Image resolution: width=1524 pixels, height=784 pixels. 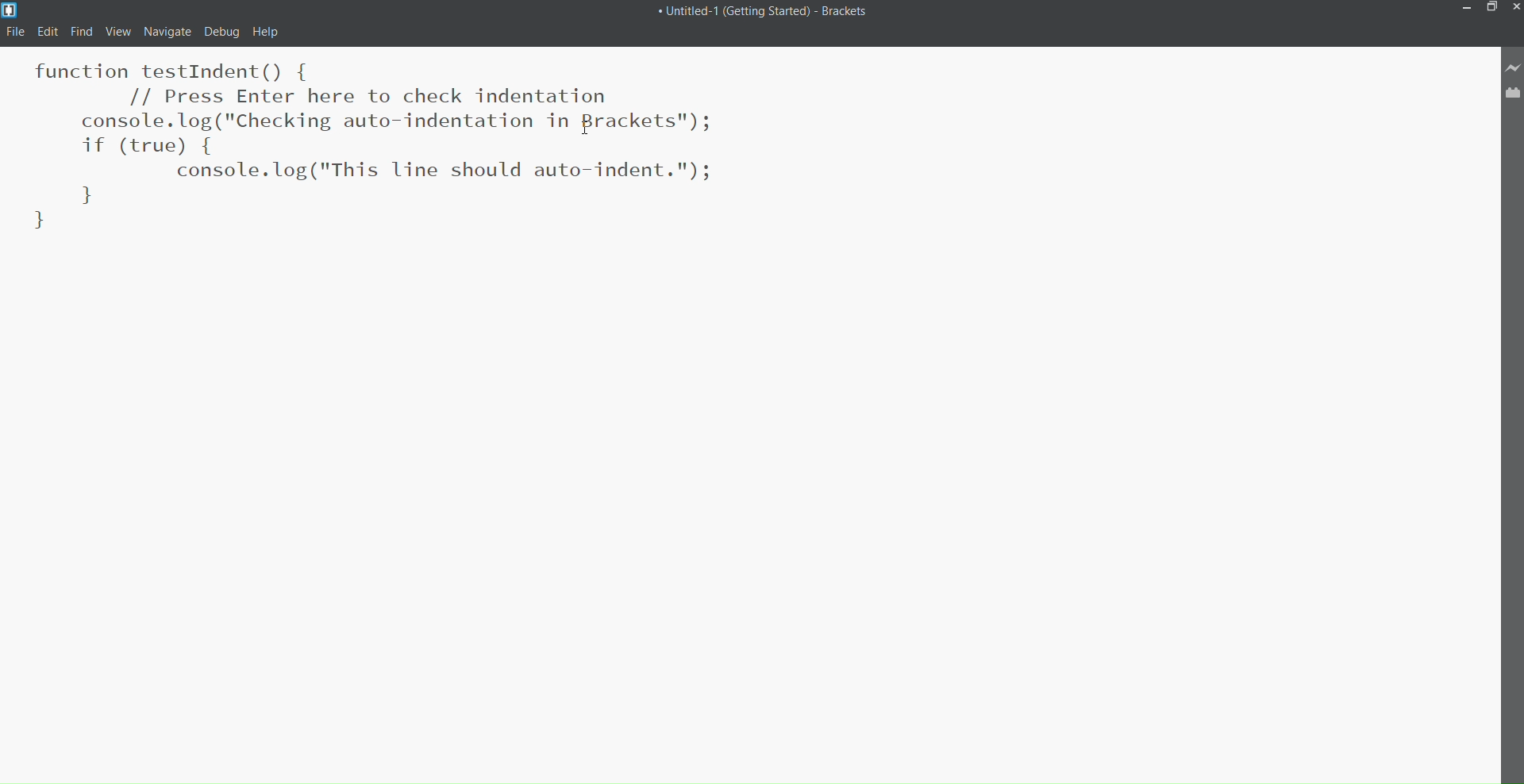 I want to click on Extension Manager, so click(x=1514, y=92).